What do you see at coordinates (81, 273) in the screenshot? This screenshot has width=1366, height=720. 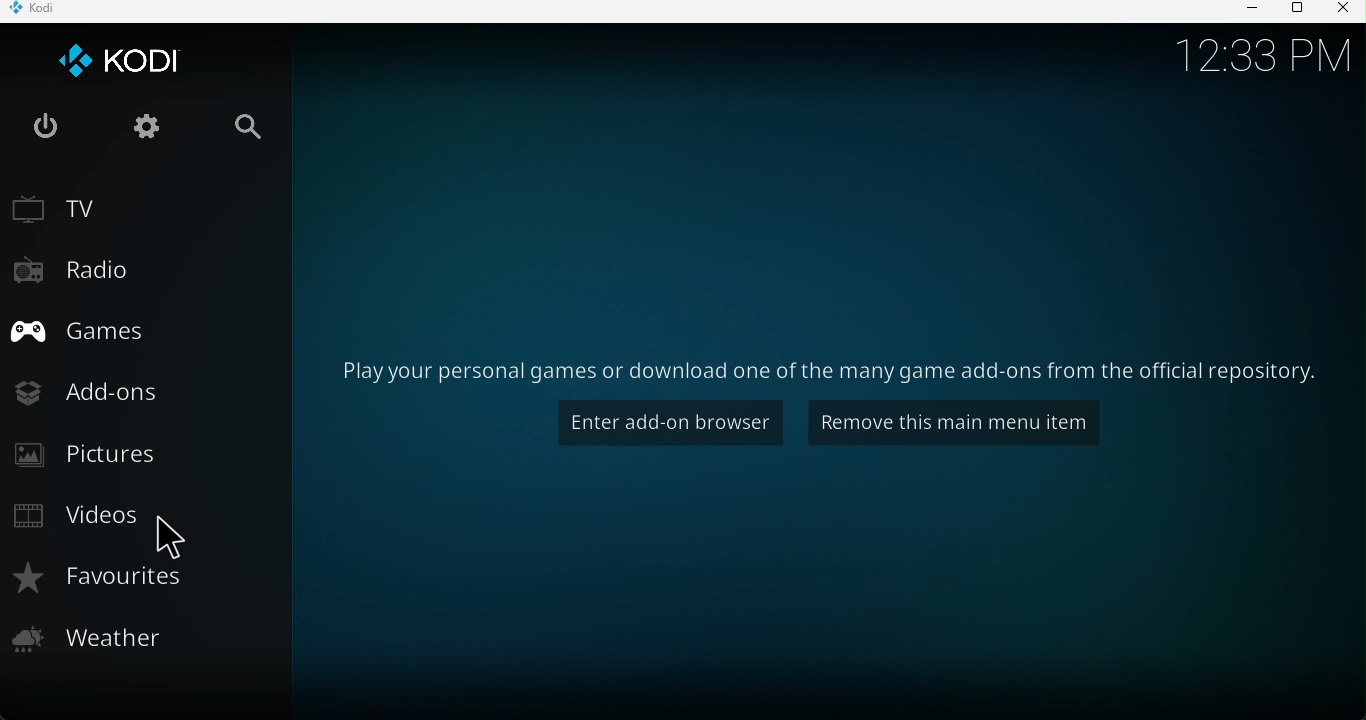 I see `Radio` at bounding box center [81, 273].